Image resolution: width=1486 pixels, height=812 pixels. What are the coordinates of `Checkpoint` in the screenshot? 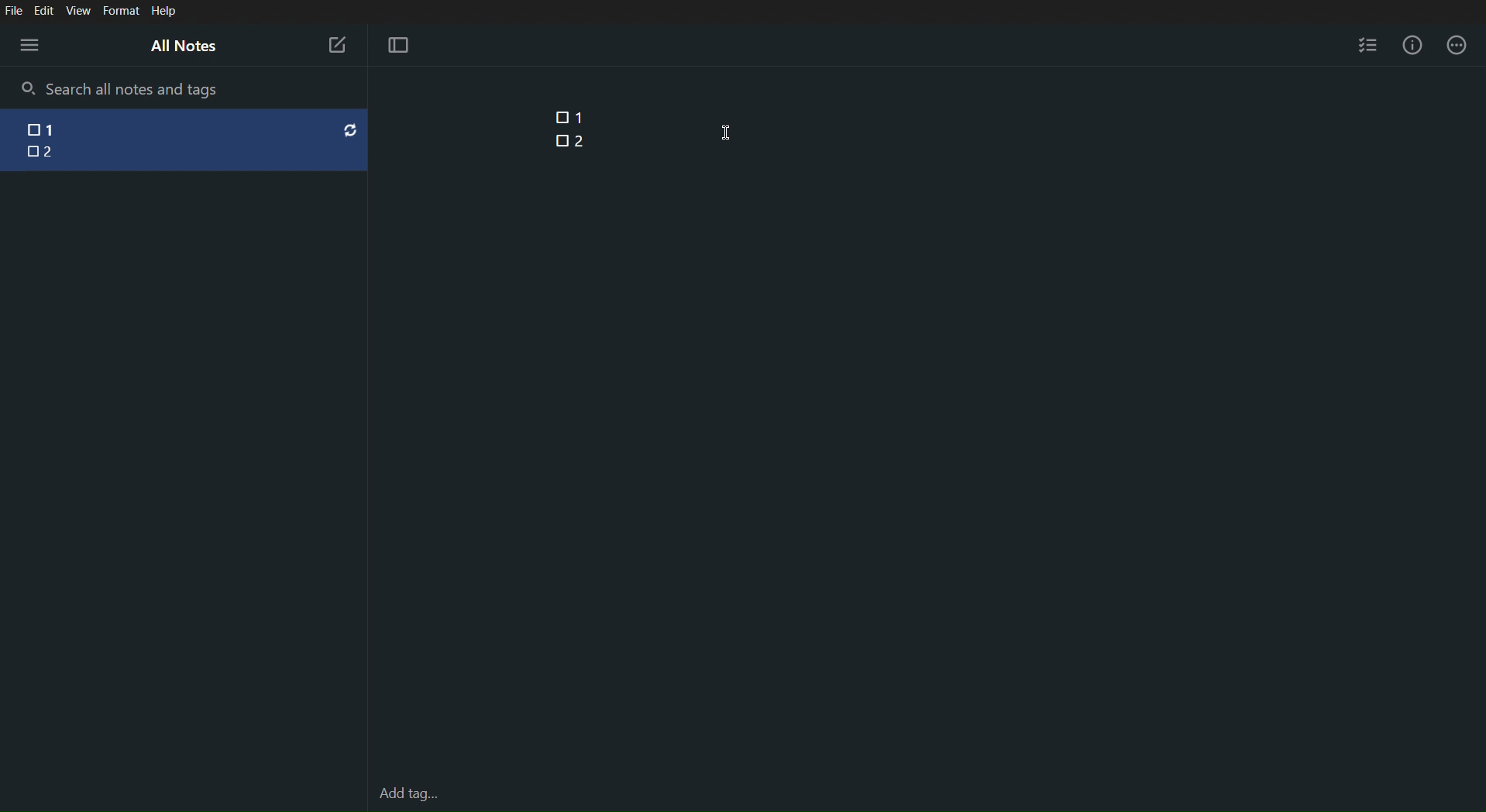 It's located at (557, 117).